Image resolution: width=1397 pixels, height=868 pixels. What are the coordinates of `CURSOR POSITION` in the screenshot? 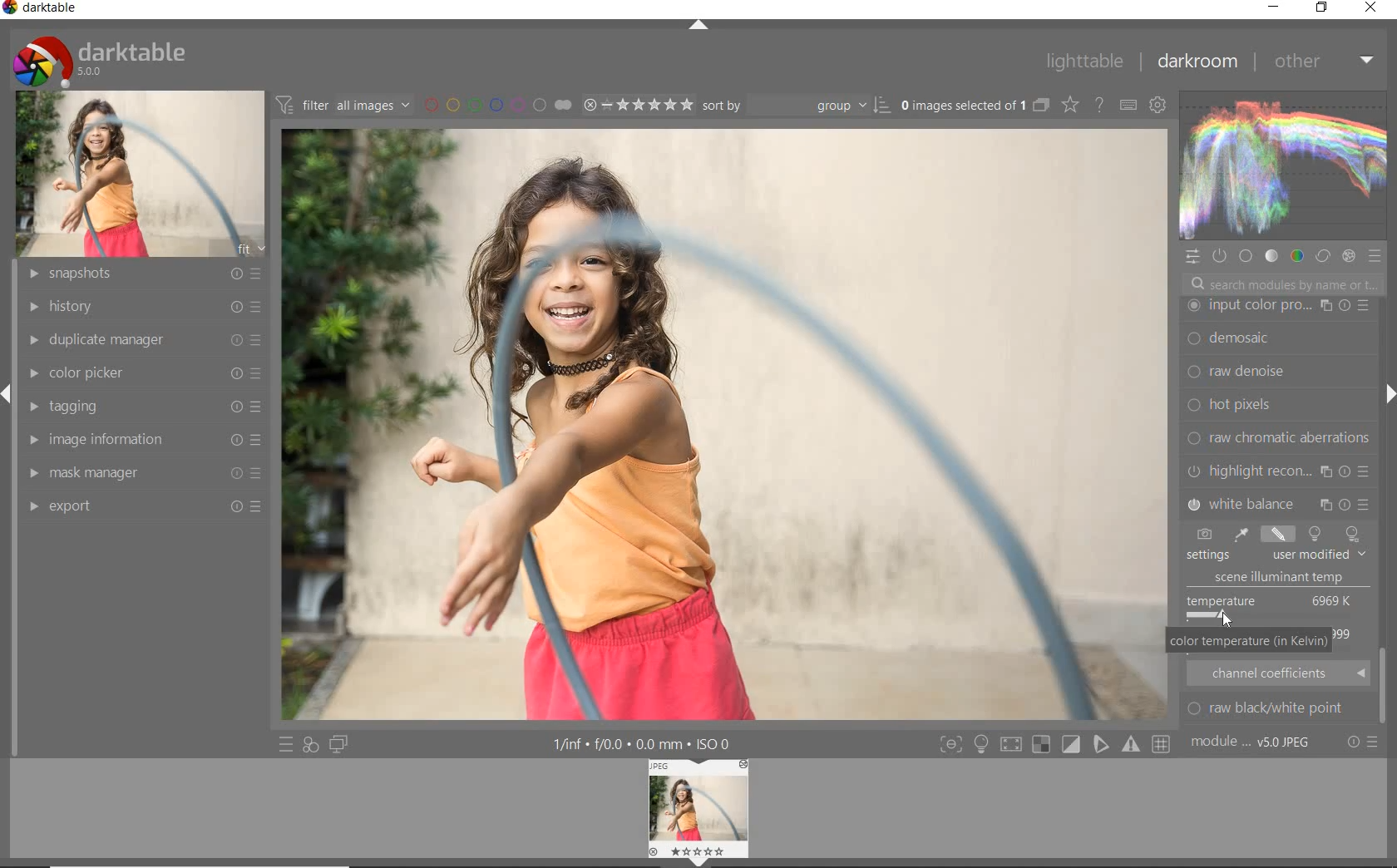 It's located at (1224, 616).